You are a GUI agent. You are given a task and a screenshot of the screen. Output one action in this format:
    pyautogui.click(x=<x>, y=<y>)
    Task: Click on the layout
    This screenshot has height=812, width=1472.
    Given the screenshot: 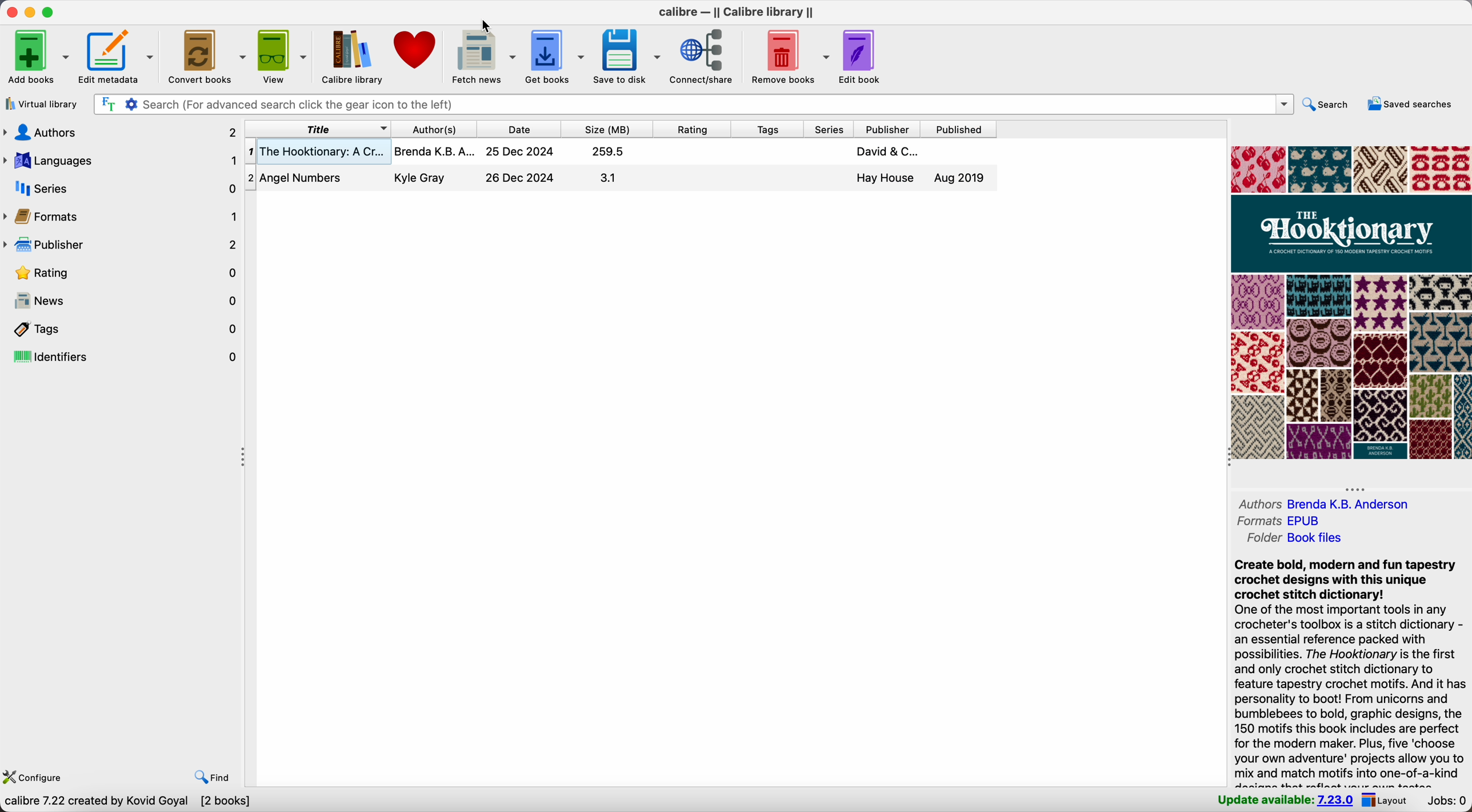 What is the action you would take?
    pyautogui.click(x=1384, y=799)
    